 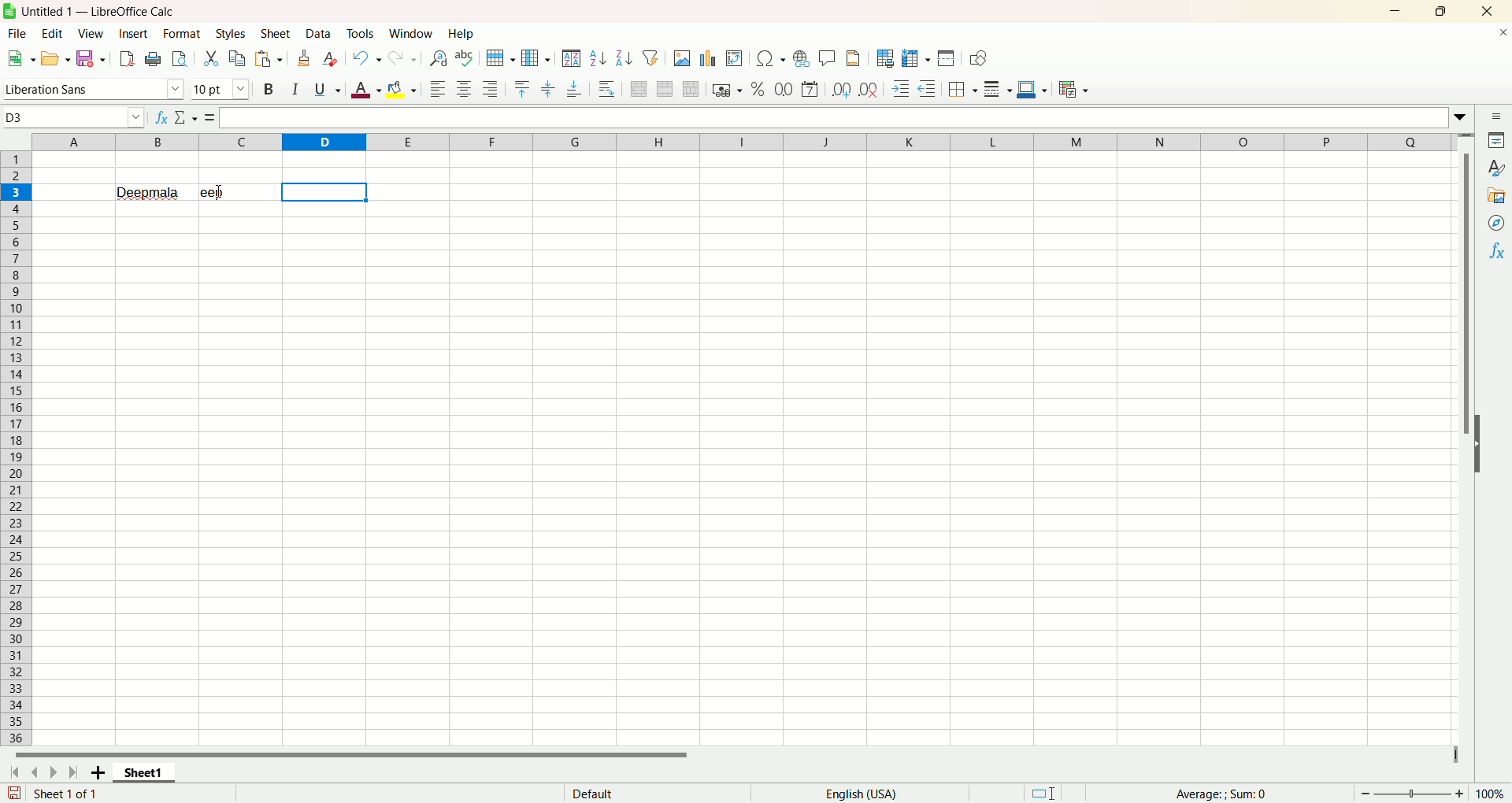 What do you see at coordinates (770, 58) in the screenshot?
I see `Insert symbols` at bounding box center [770, 58].